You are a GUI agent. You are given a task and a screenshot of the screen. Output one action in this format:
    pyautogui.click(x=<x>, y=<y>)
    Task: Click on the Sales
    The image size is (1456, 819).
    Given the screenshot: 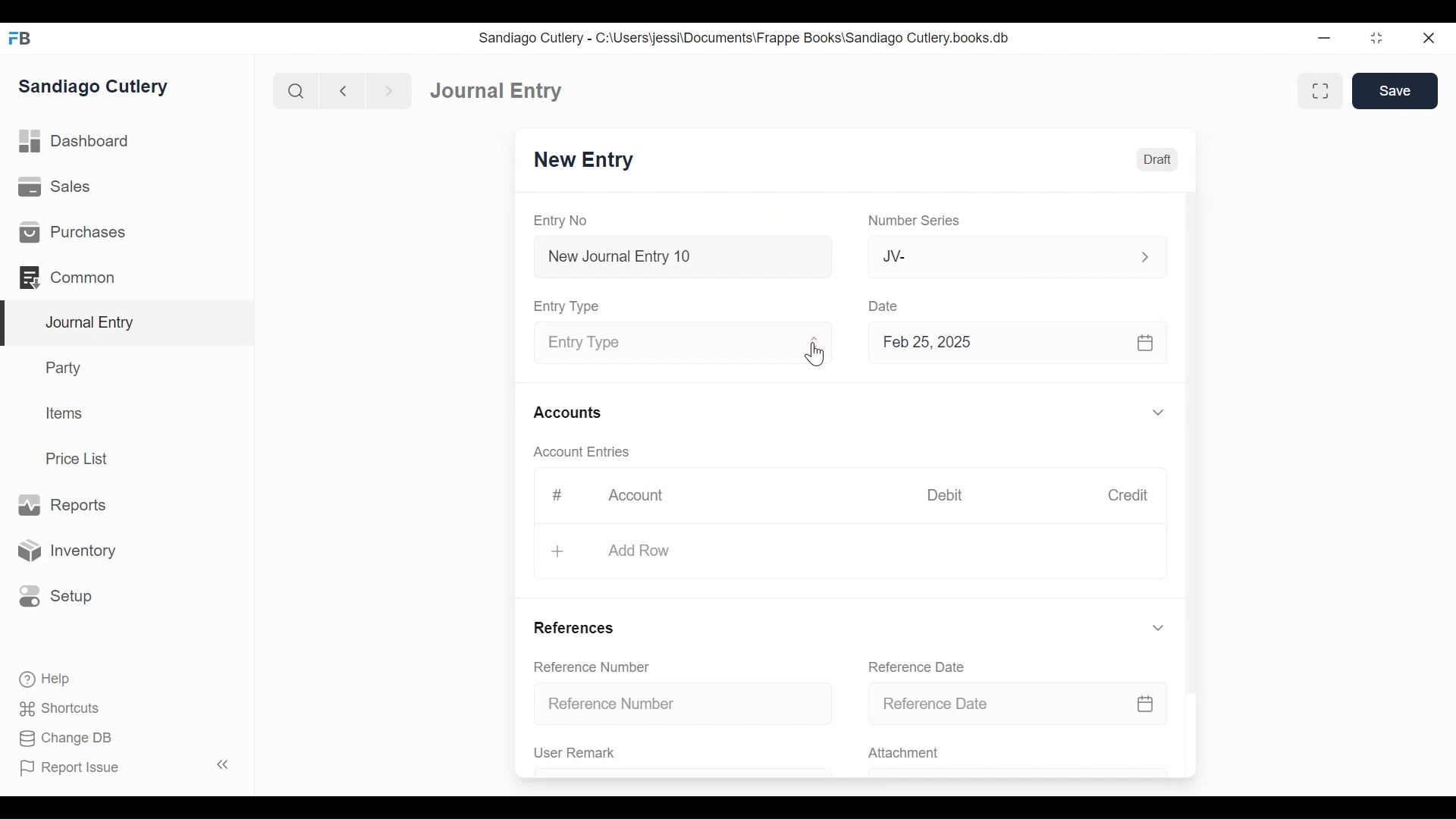 What is the action you would take?
    pyautogui.click(x=53, y=188)
    